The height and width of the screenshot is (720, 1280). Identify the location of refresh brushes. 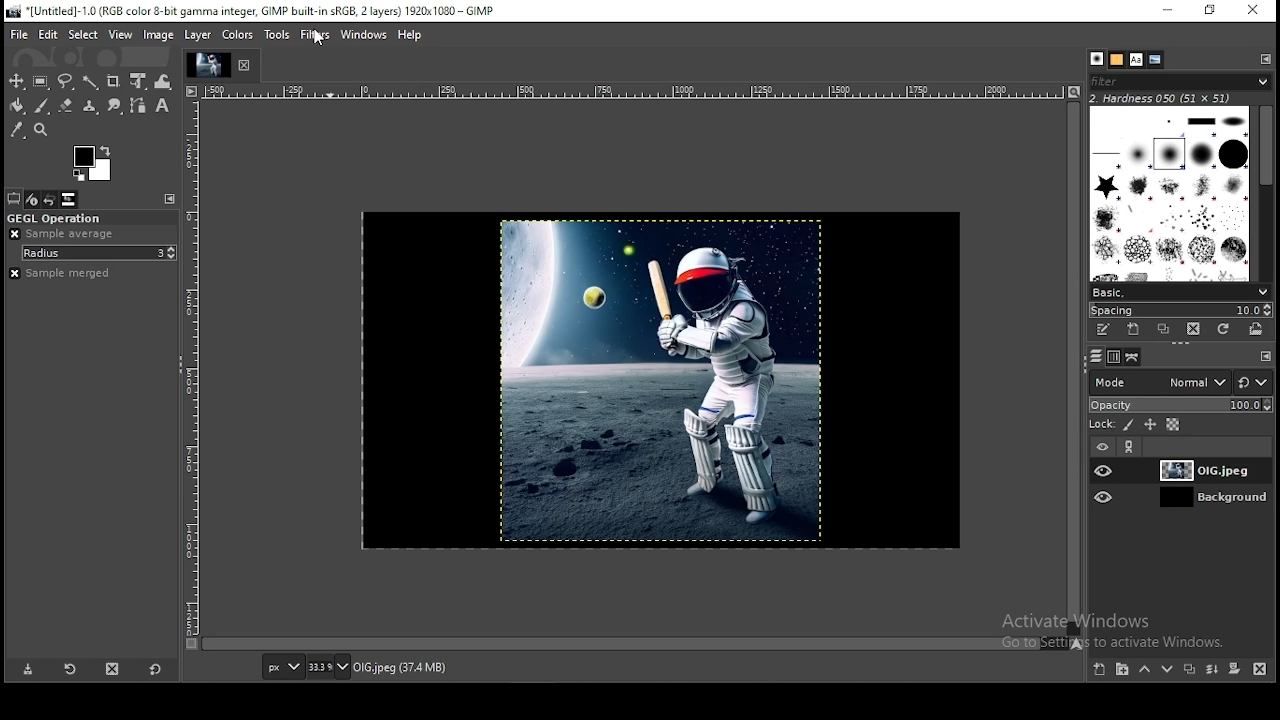
(1223, 328).